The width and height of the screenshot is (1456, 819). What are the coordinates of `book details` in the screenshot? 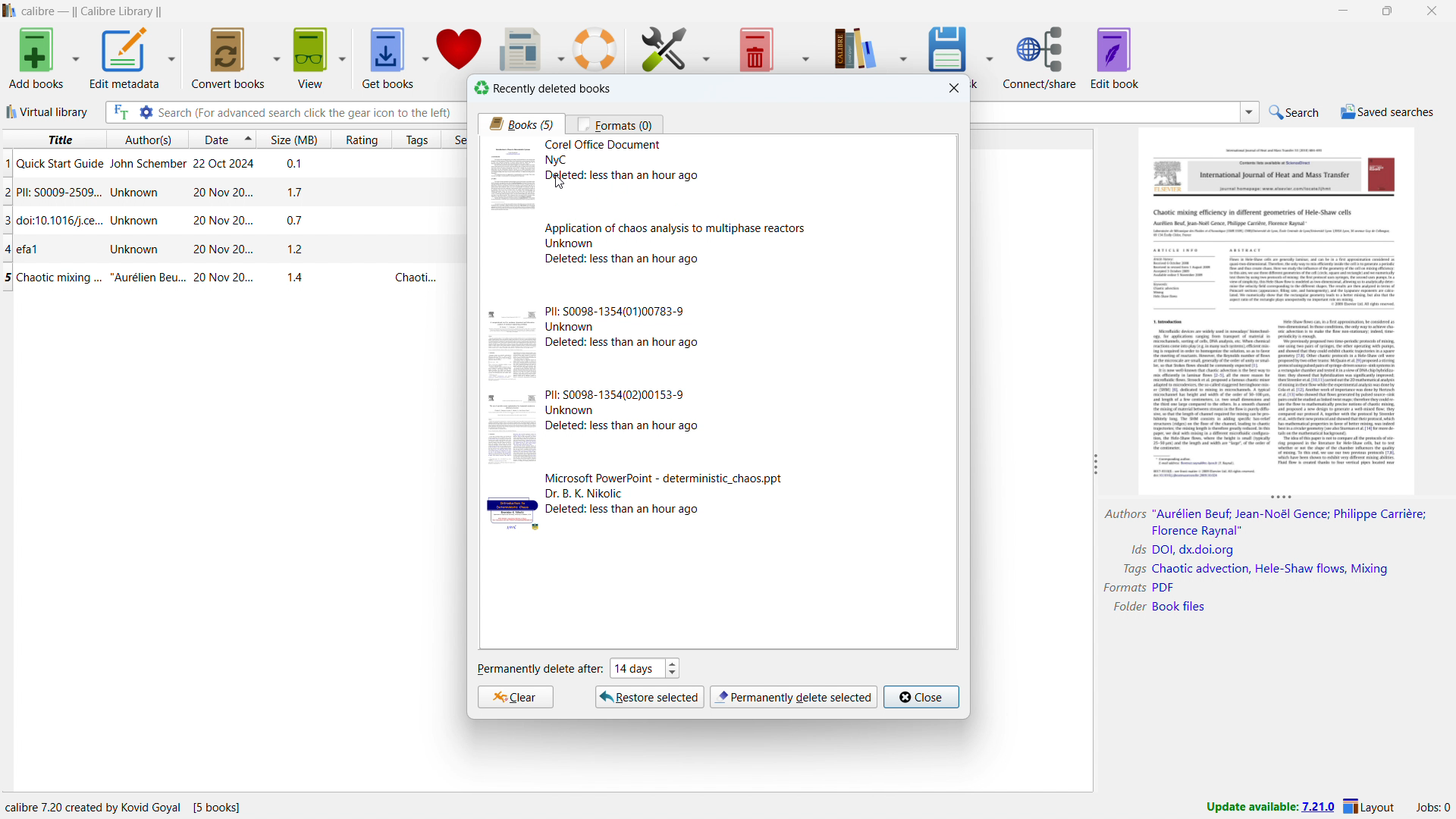 It's located at (1263, 562).